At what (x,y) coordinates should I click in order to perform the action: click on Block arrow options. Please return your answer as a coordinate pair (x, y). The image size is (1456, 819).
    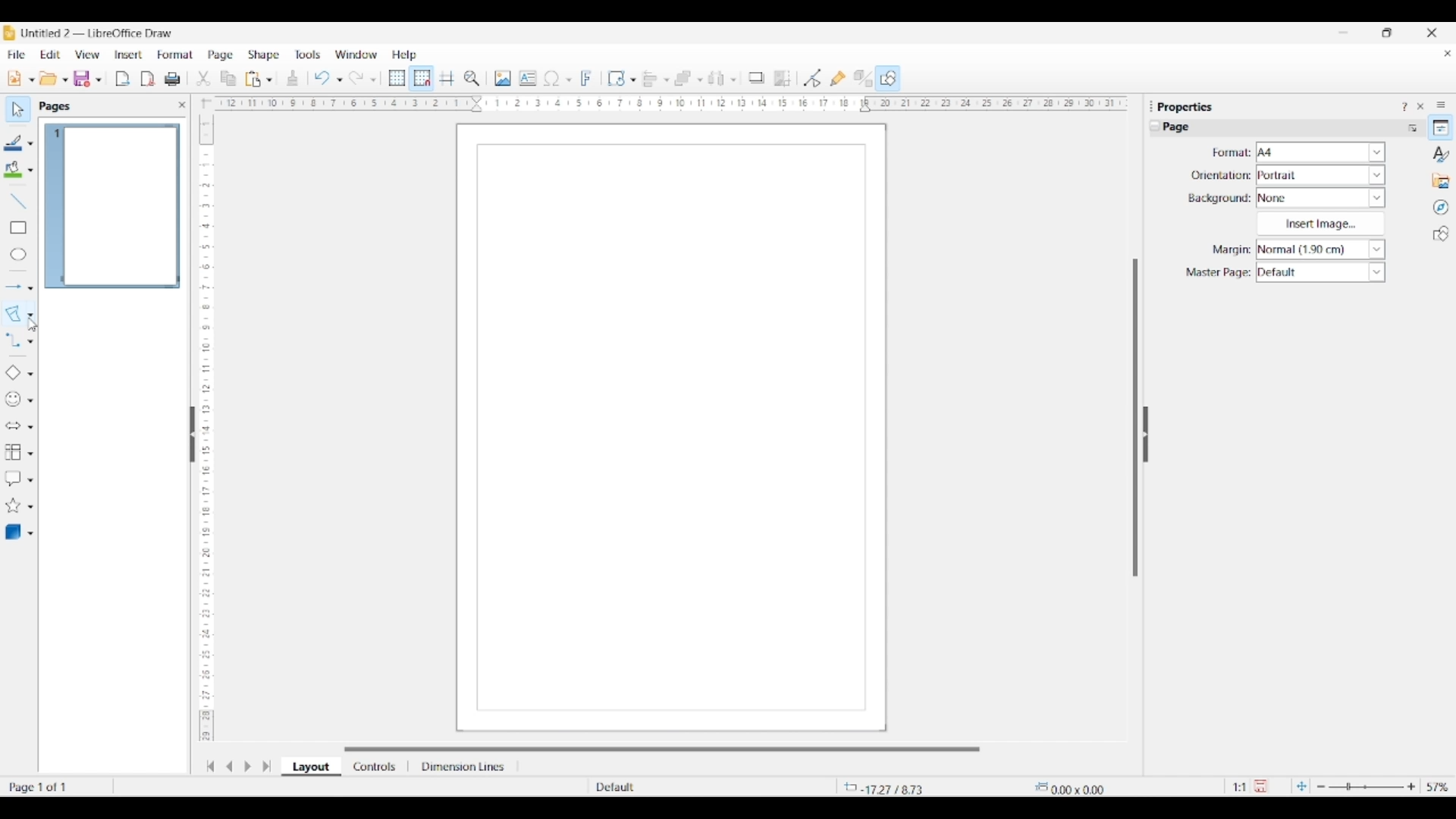
    Looking at the image, I should click on (30, 427).